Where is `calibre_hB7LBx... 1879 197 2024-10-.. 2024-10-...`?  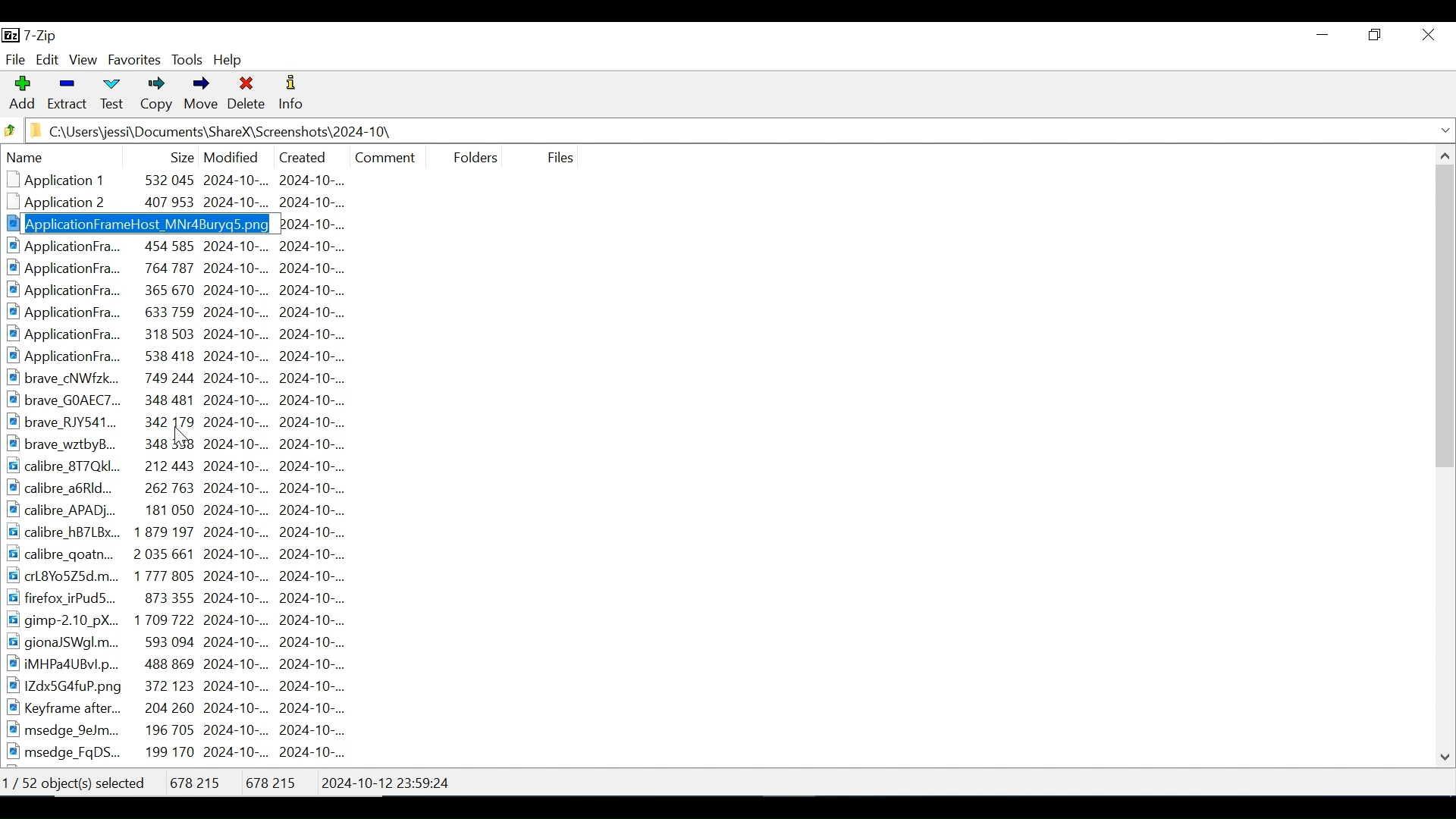 calibre_hB7LBx... 1879 197 2024-10-.. 2024-10-... is located at coordinates (187, 532).